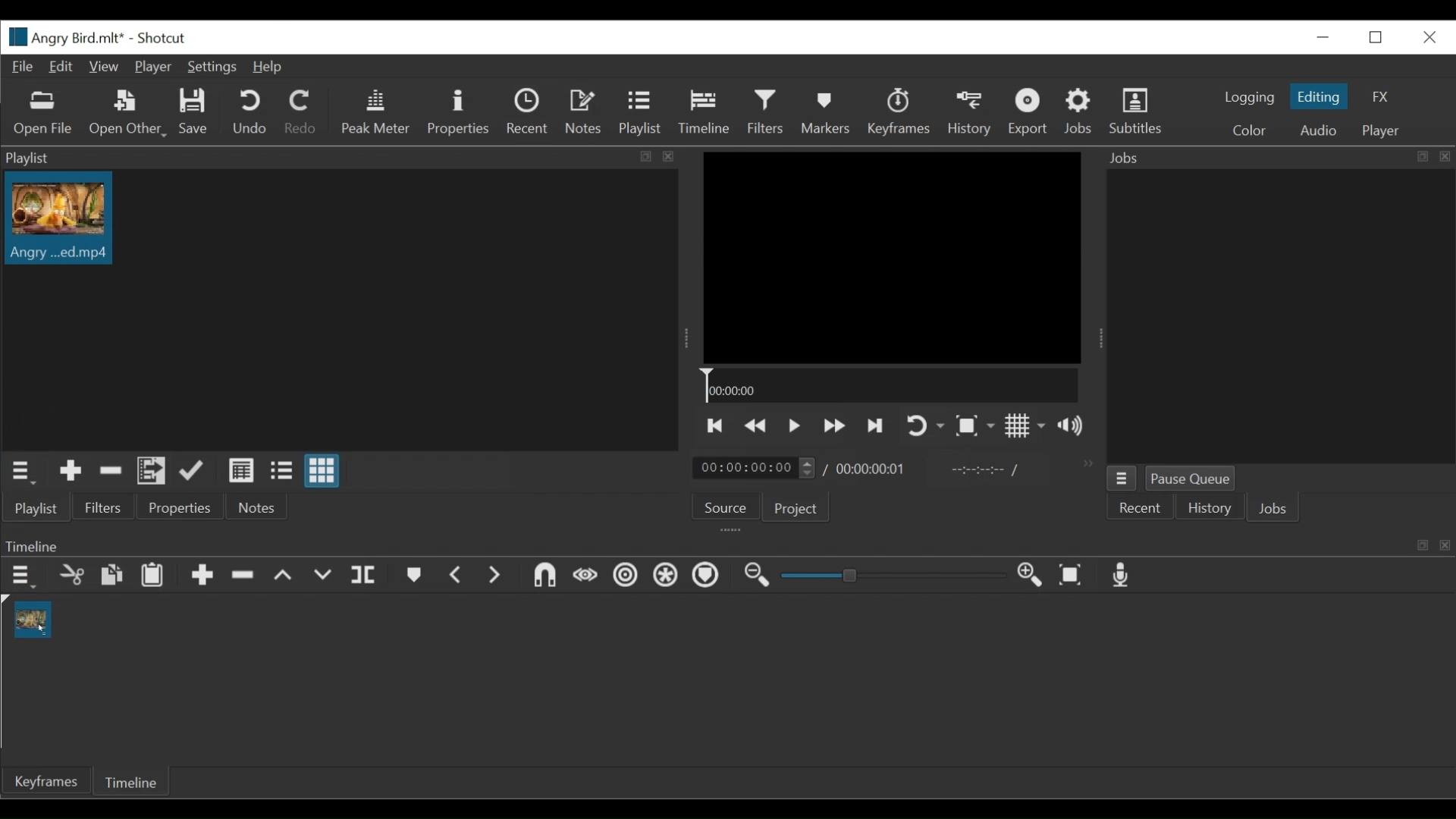  I want to click on Minimize, so click(1326, 37).